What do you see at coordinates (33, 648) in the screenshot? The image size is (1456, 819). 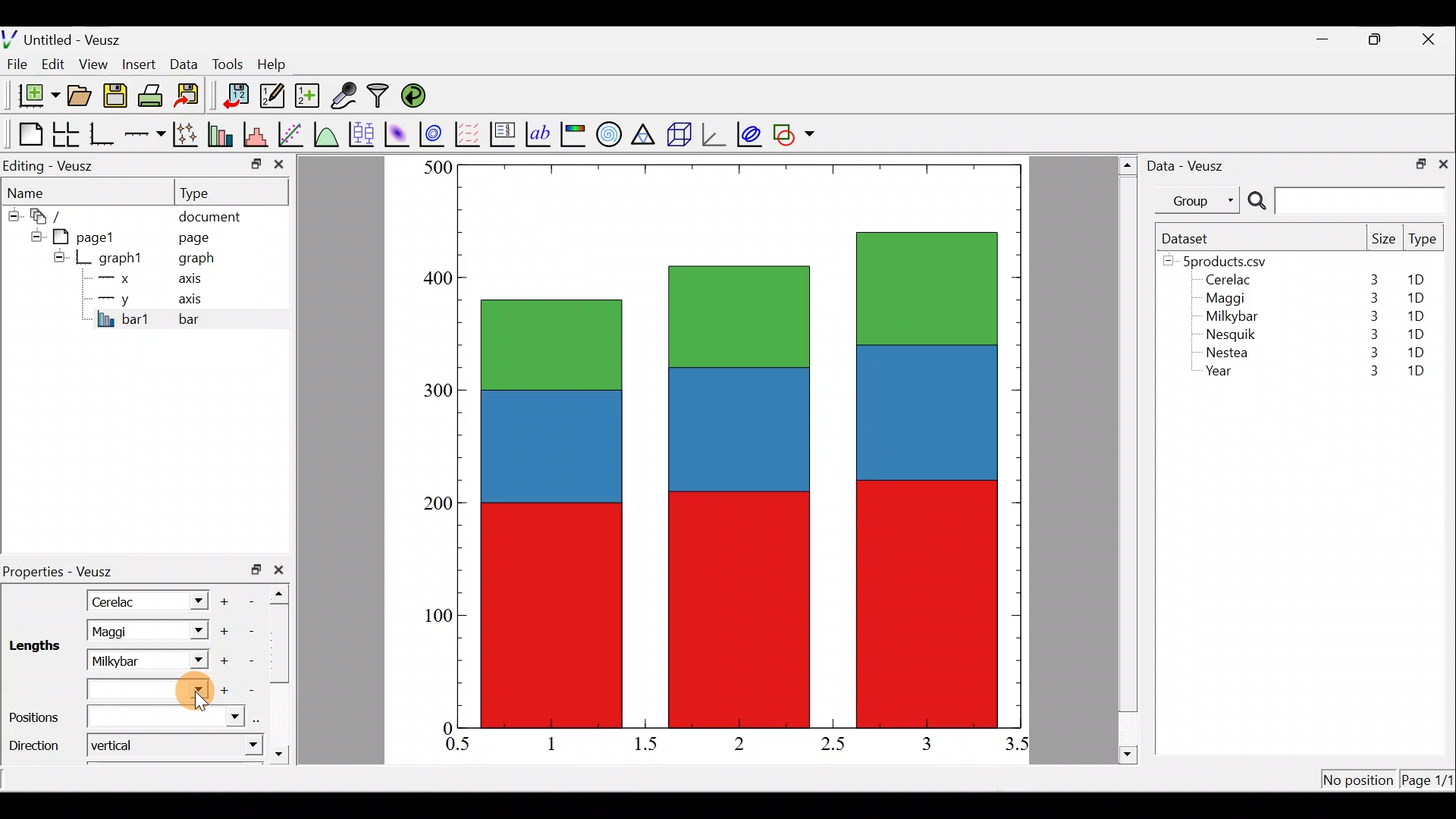 I see `Lengths` at bounding box center [33, 648].